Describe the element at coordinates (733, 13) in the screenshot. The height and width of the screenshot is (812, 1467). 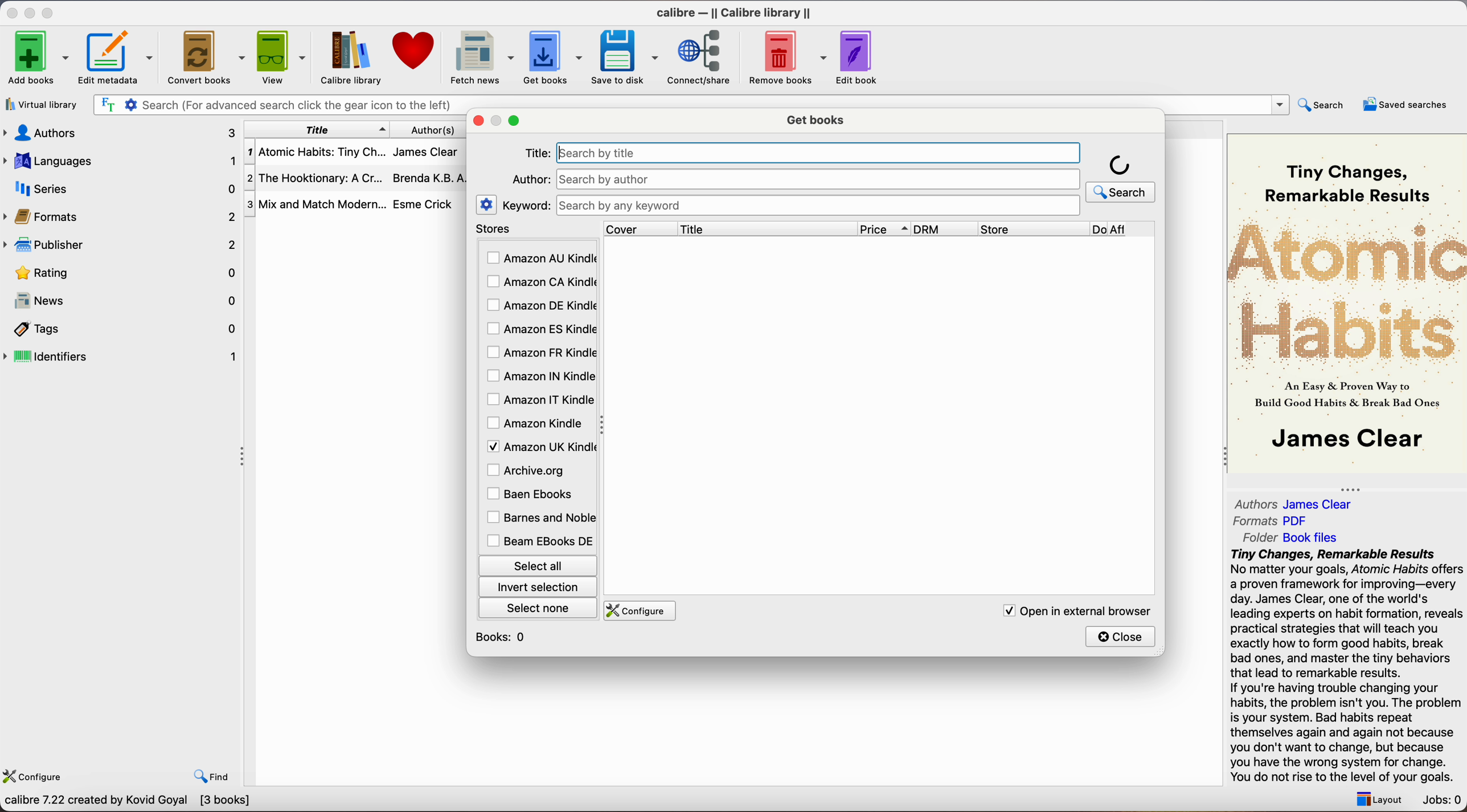
I see `Calibre - ||Calibre library||` at that location.